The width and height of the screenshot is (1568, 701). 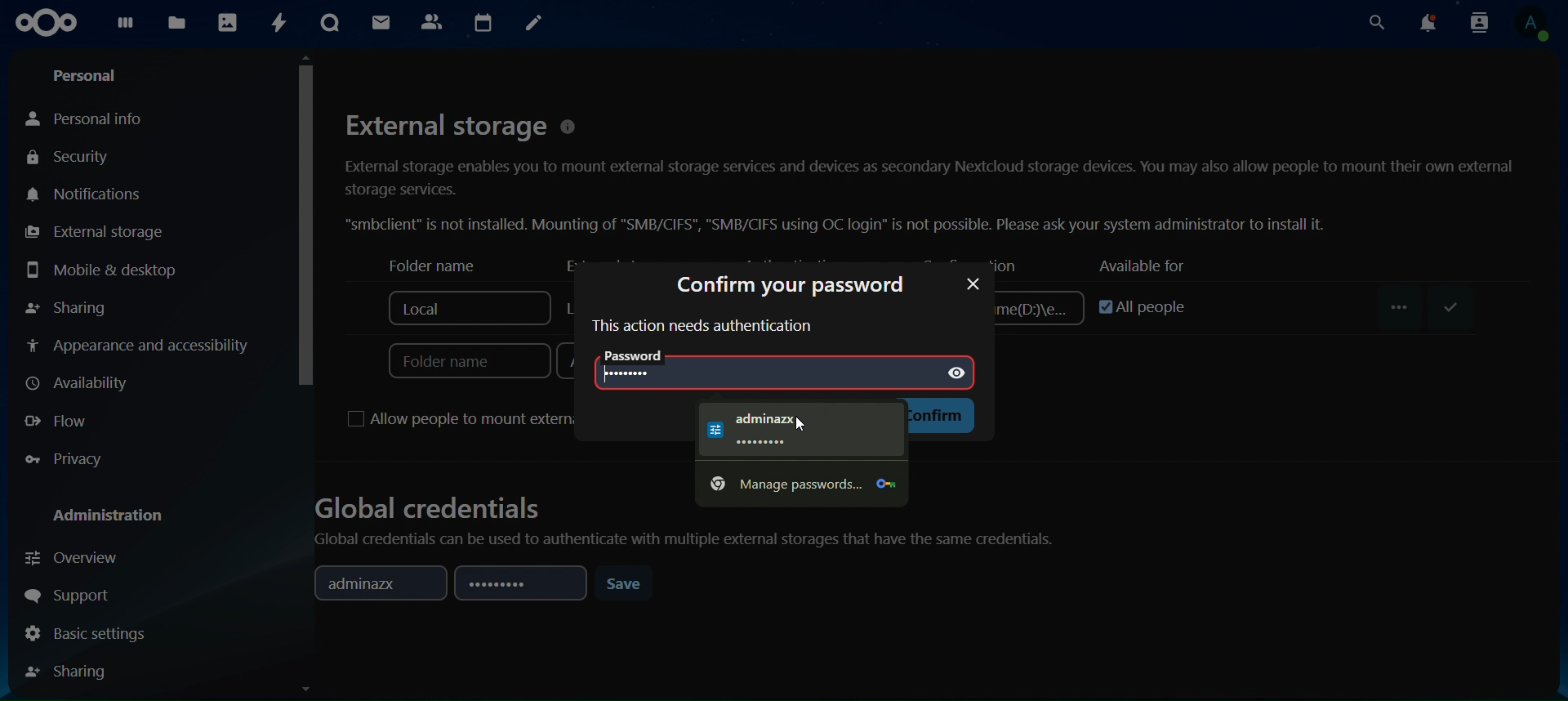 I want to click on adminazx, so click(x=374, y=583).